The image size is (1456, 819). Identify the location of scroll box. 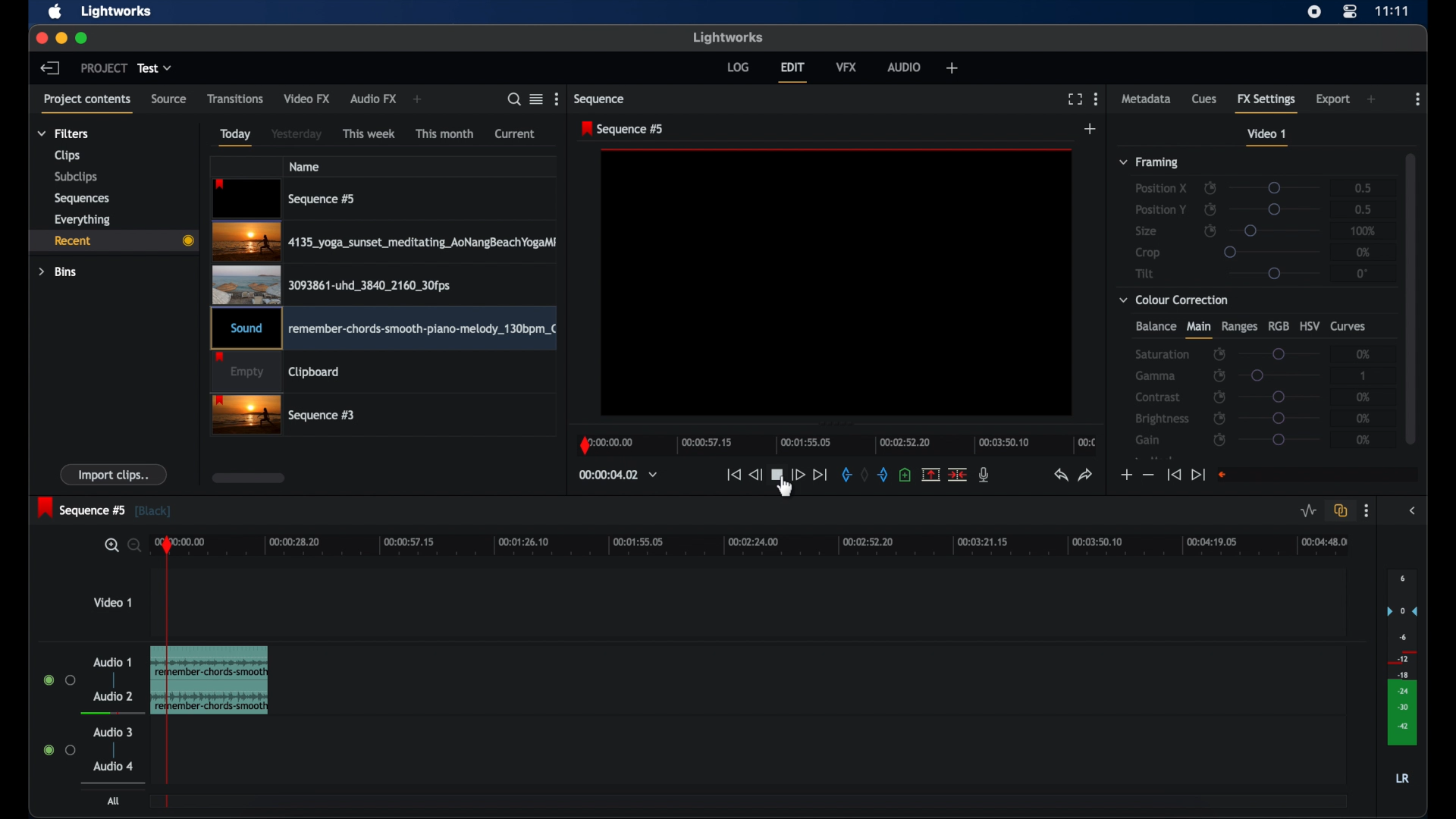
(249, 478).